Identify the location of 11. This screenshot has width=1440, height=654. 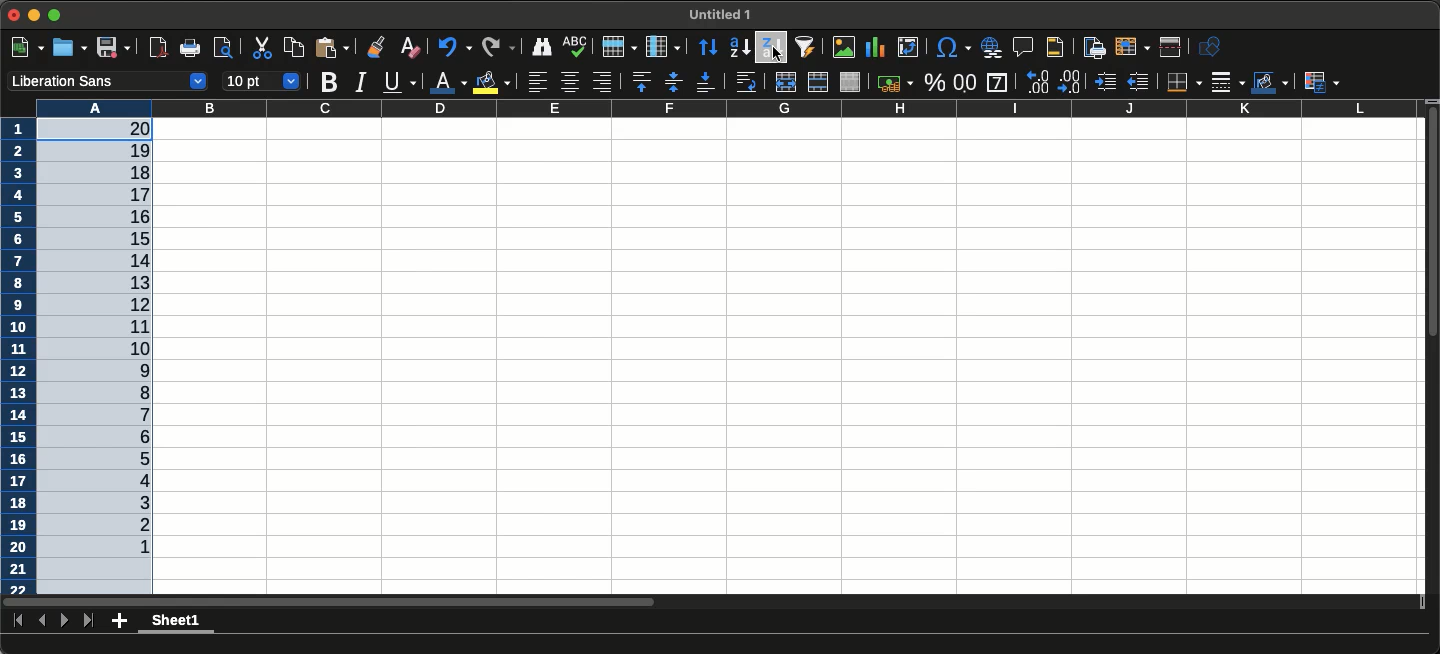
(131, 348).